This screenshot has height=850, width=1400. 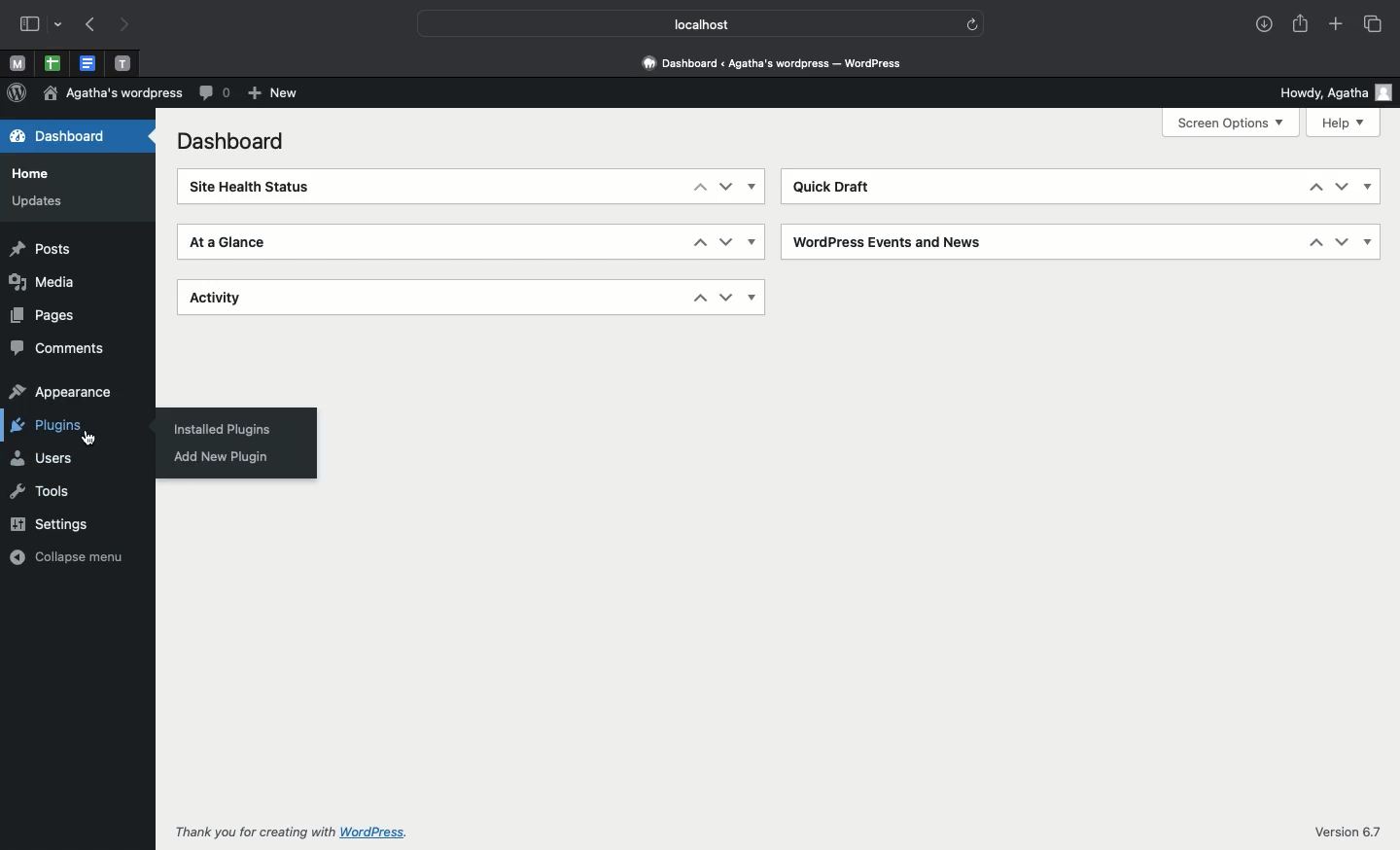 I want to click on Settings, so click(x=50, y=524).